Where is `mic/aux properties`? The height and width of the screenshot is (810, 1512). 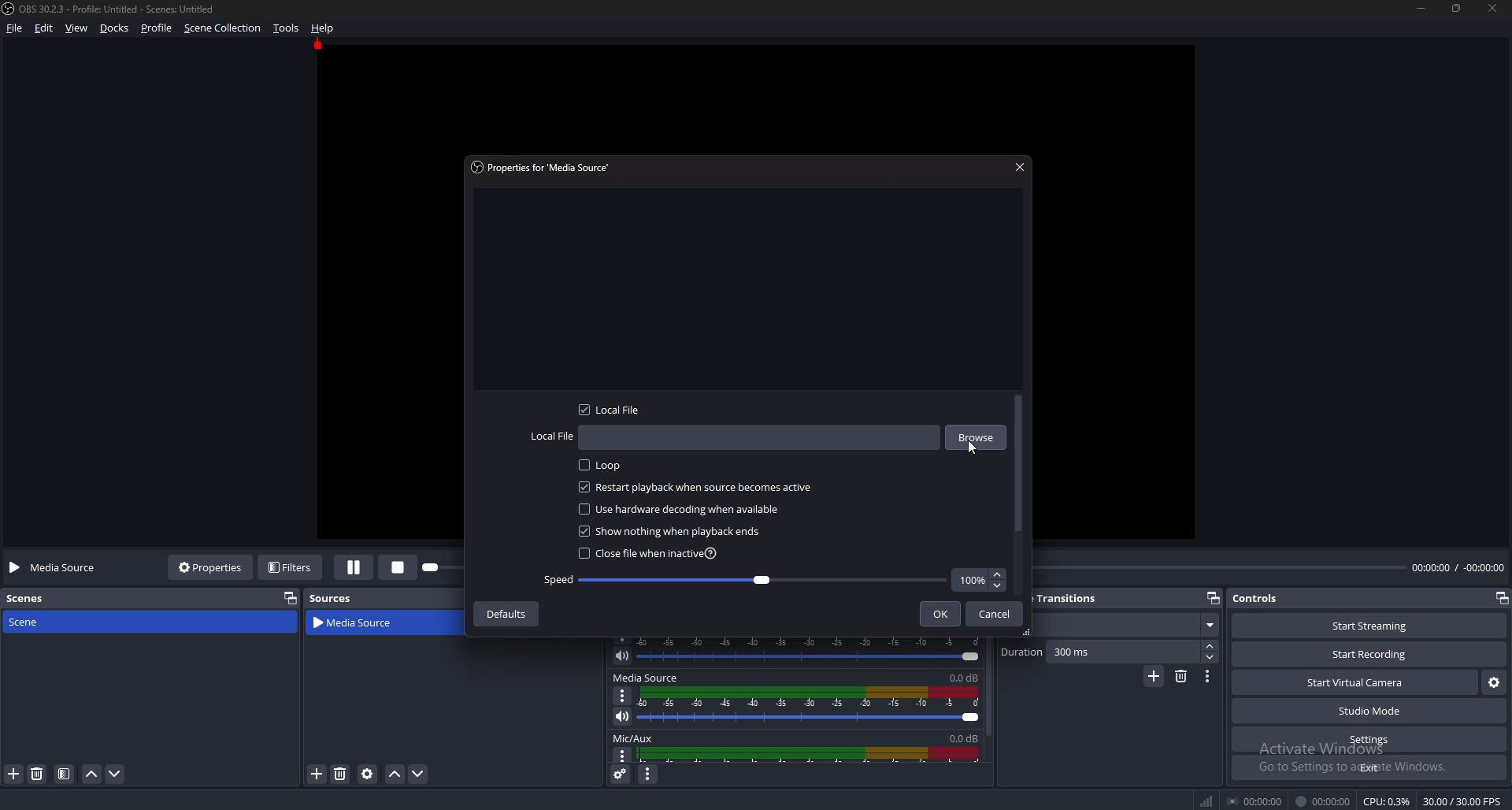 mic/aux properties is located at coordinates (621, 756).